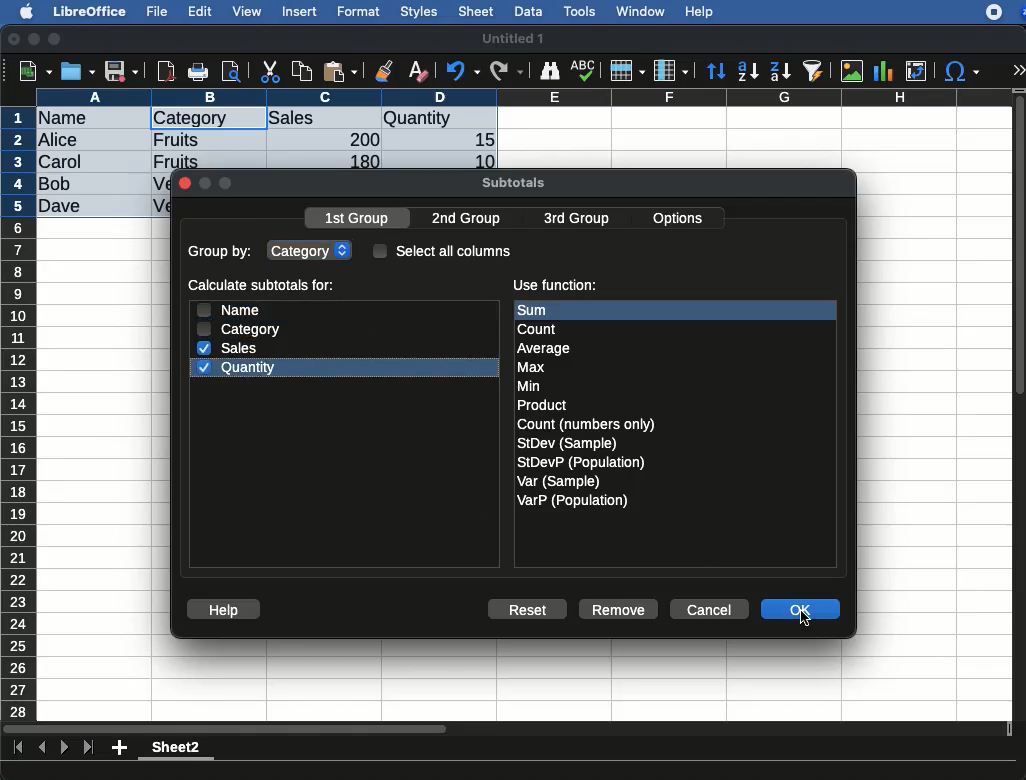 The height and width of the screenshot is (780, 1026). Describe the element at coordinates (20, 748) in the screenshot. I see `first sheet` at that location.